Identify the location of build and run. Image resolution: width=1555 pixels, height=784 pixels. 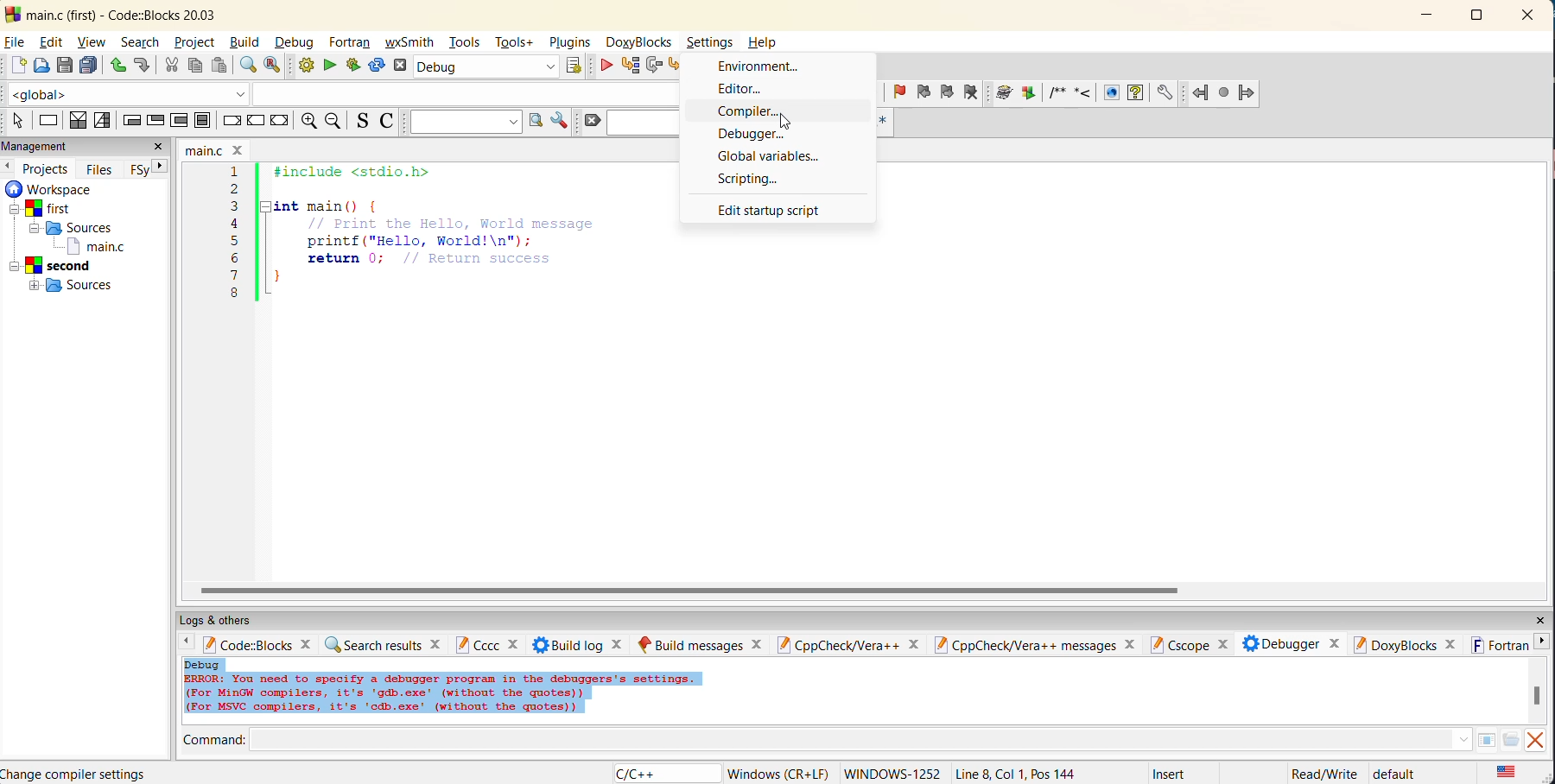
(354, 65).